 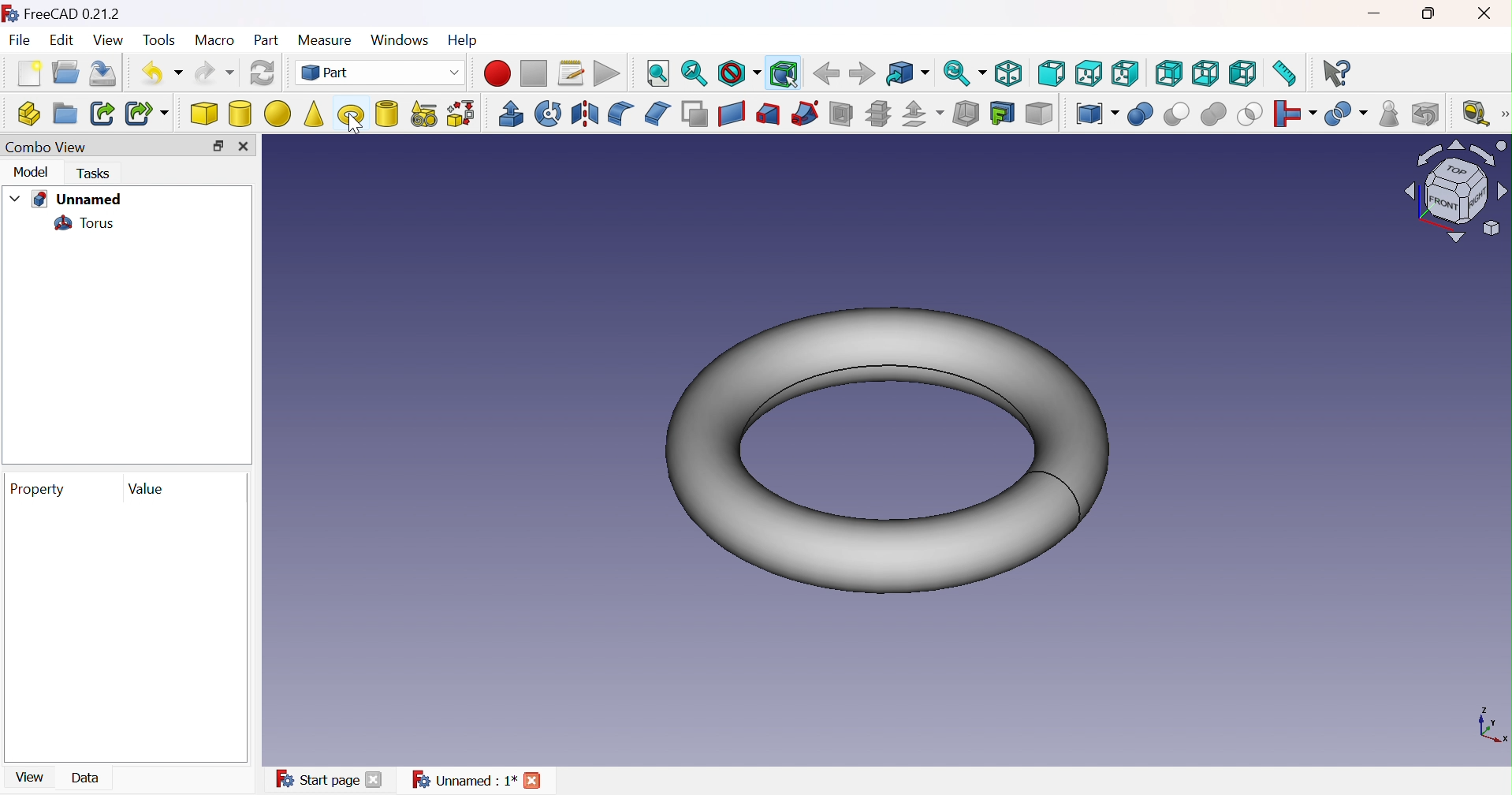 I want to click on Redo, so click(x=215, y=72).